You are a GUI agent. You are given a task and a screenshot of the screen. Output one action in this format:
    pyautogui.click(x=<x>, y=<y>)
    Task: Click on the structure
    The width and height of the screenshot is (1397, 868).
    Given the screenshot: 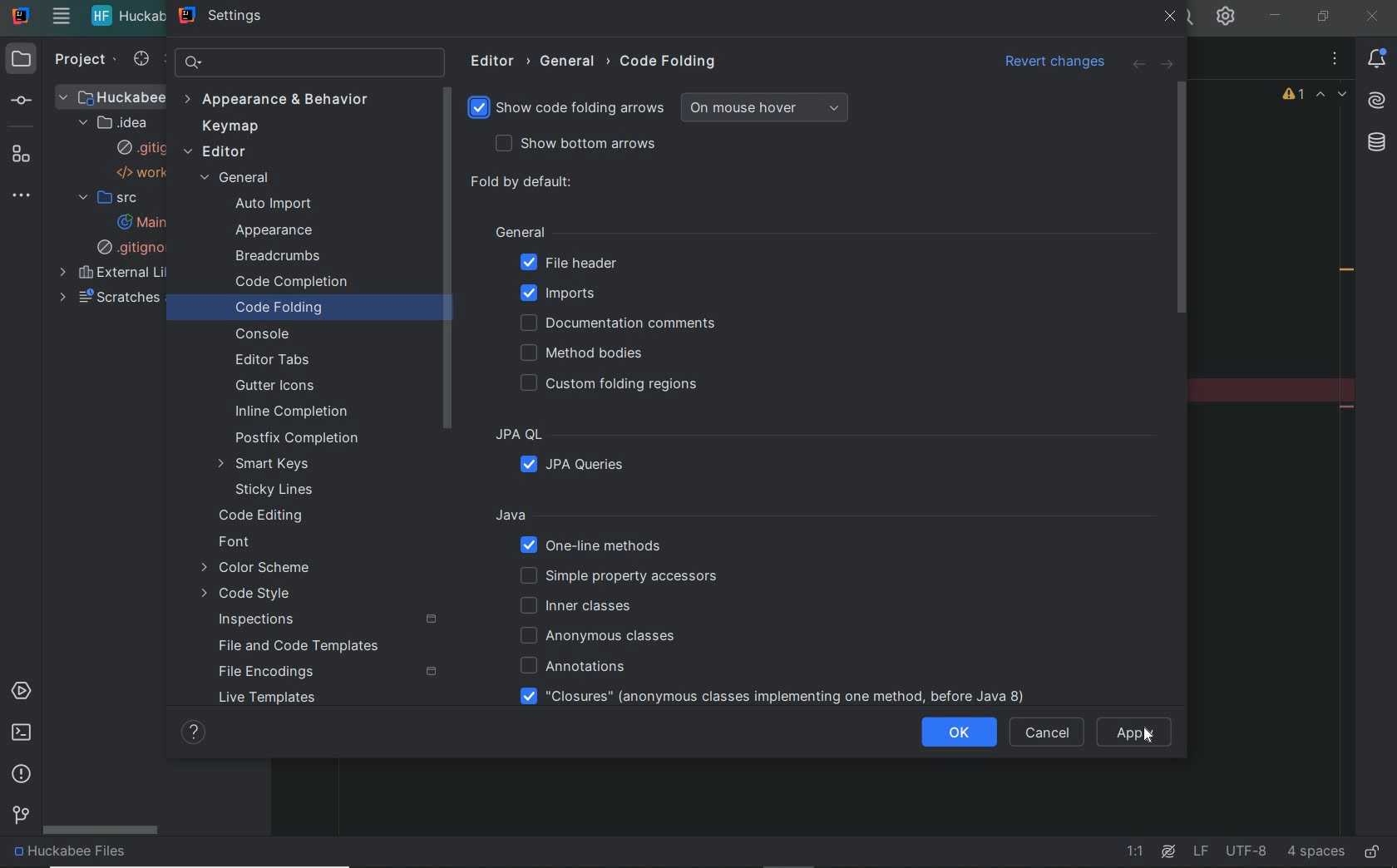 What is the action you would take?
    pyautogui.click(x=27, y=154)
    